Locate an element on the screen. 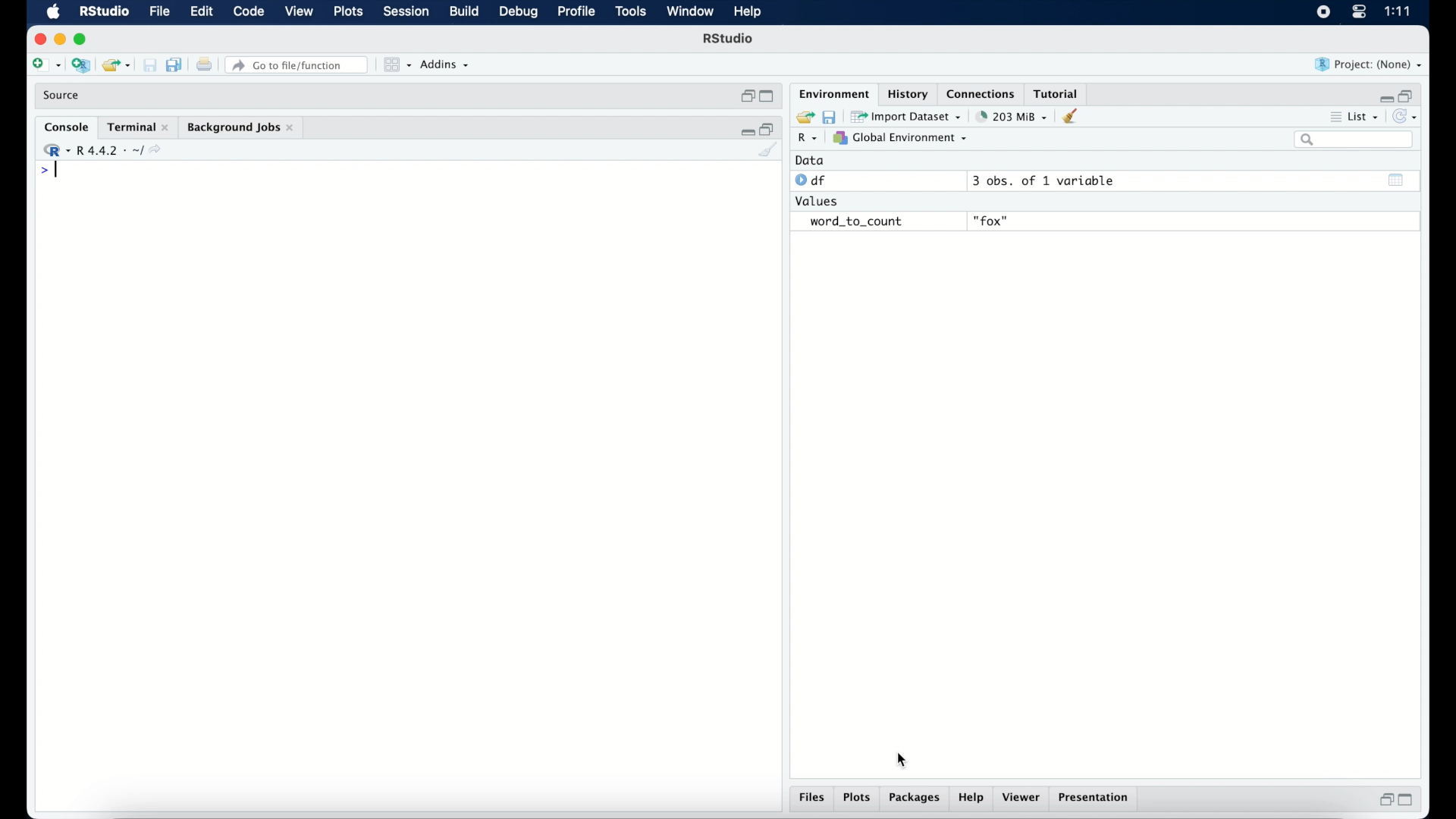 Image resolution: width=1456 pixels, height=819 pixels. R Studio is located at coordinates (103, 12).